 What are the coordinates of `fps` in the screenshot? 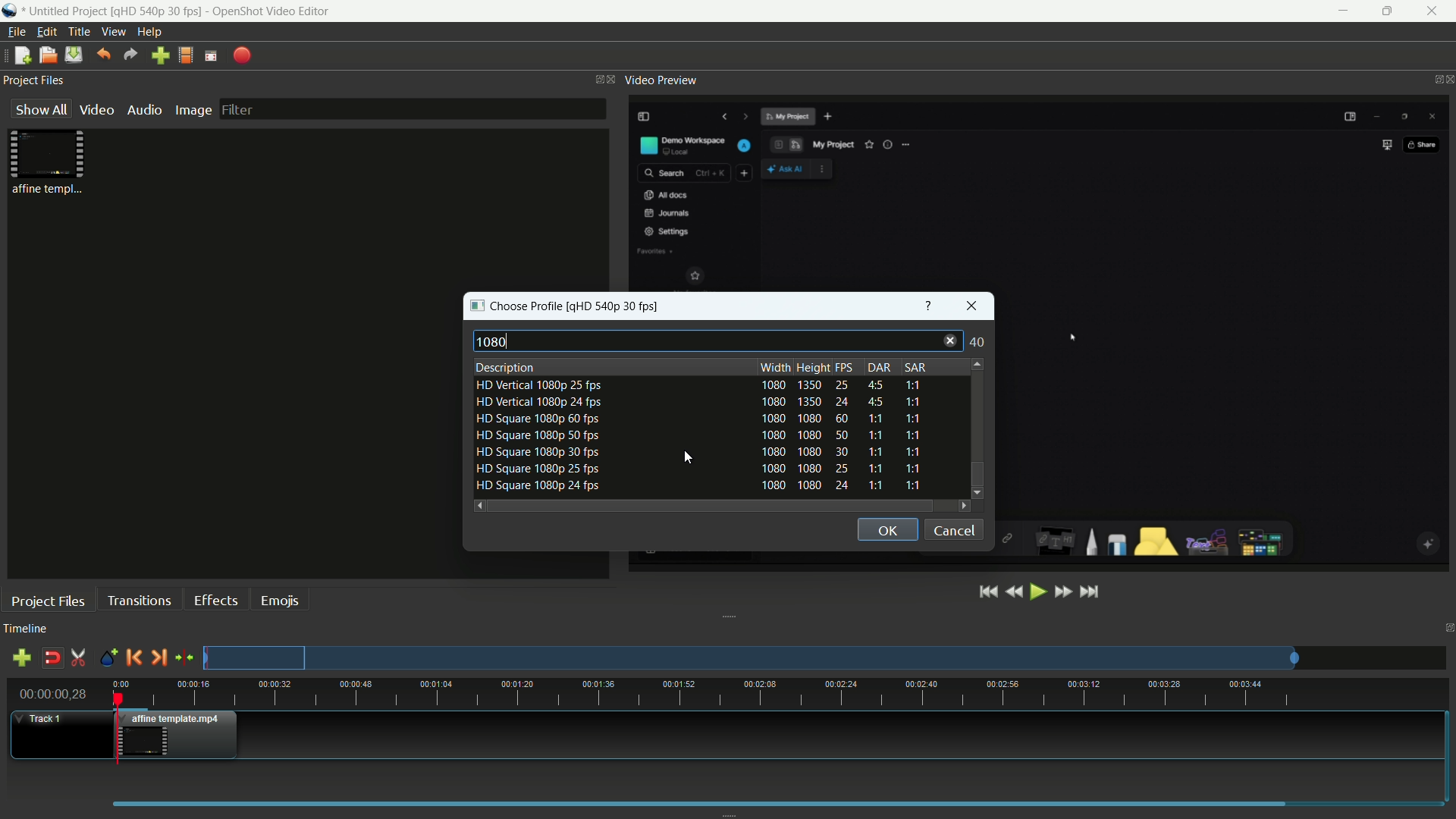 It's located at (849, 368).